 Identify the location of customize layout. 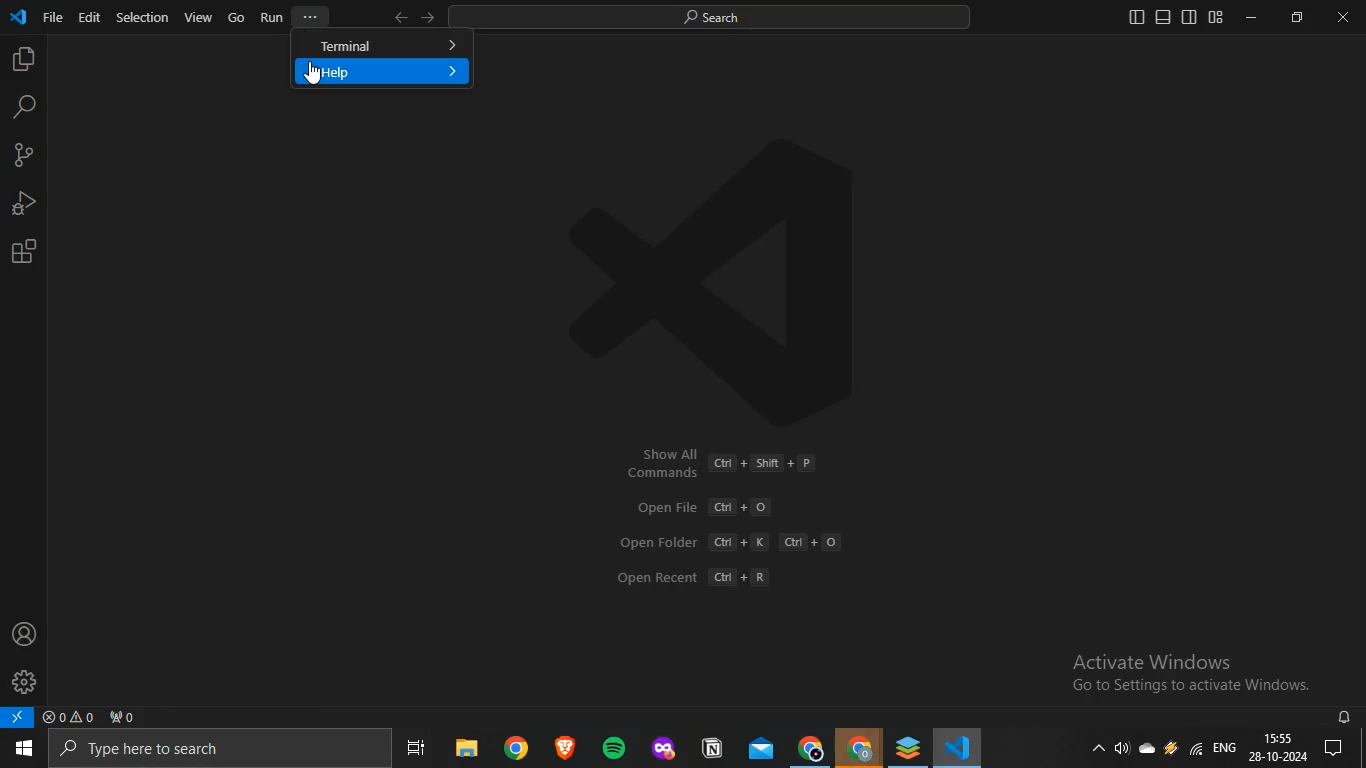
(1217, 18).